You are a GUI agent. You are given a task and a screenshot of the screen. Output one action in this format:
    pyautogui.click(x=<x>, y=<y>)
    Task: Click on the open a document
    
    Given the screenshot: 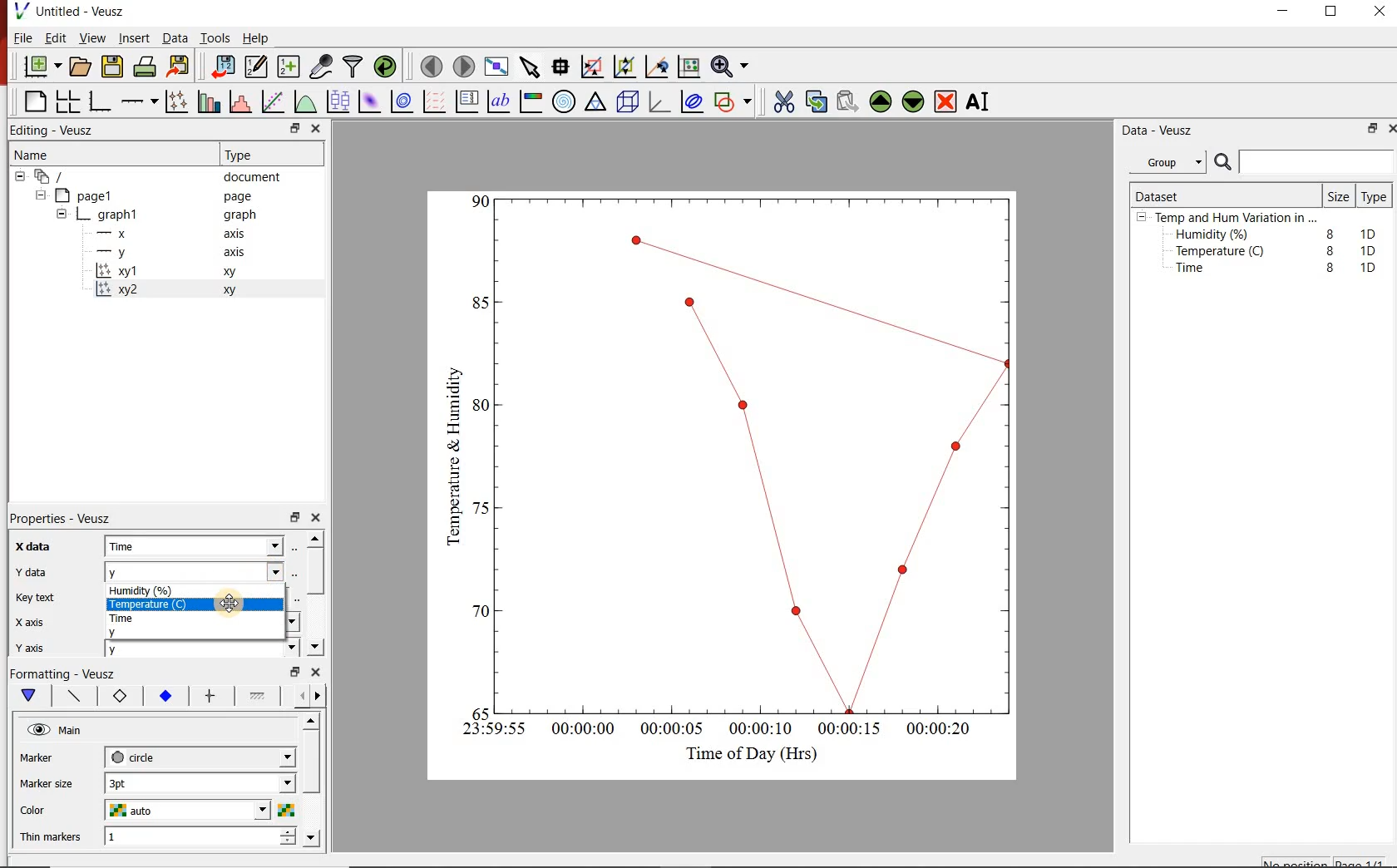 What is the action you would take?
    pyautogui.click(x=81, y=67)
    